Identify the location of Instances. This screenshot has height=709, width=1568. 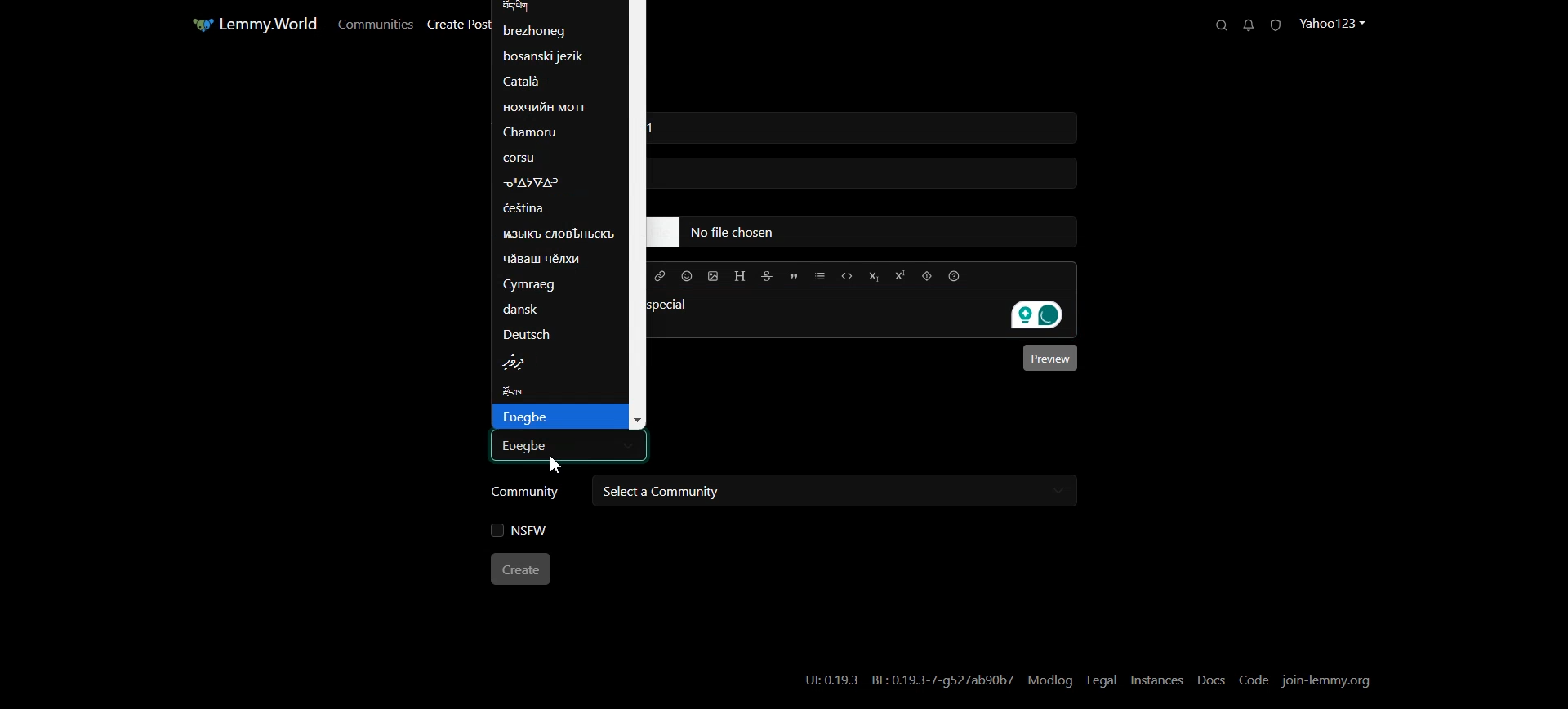
(1157, 680).